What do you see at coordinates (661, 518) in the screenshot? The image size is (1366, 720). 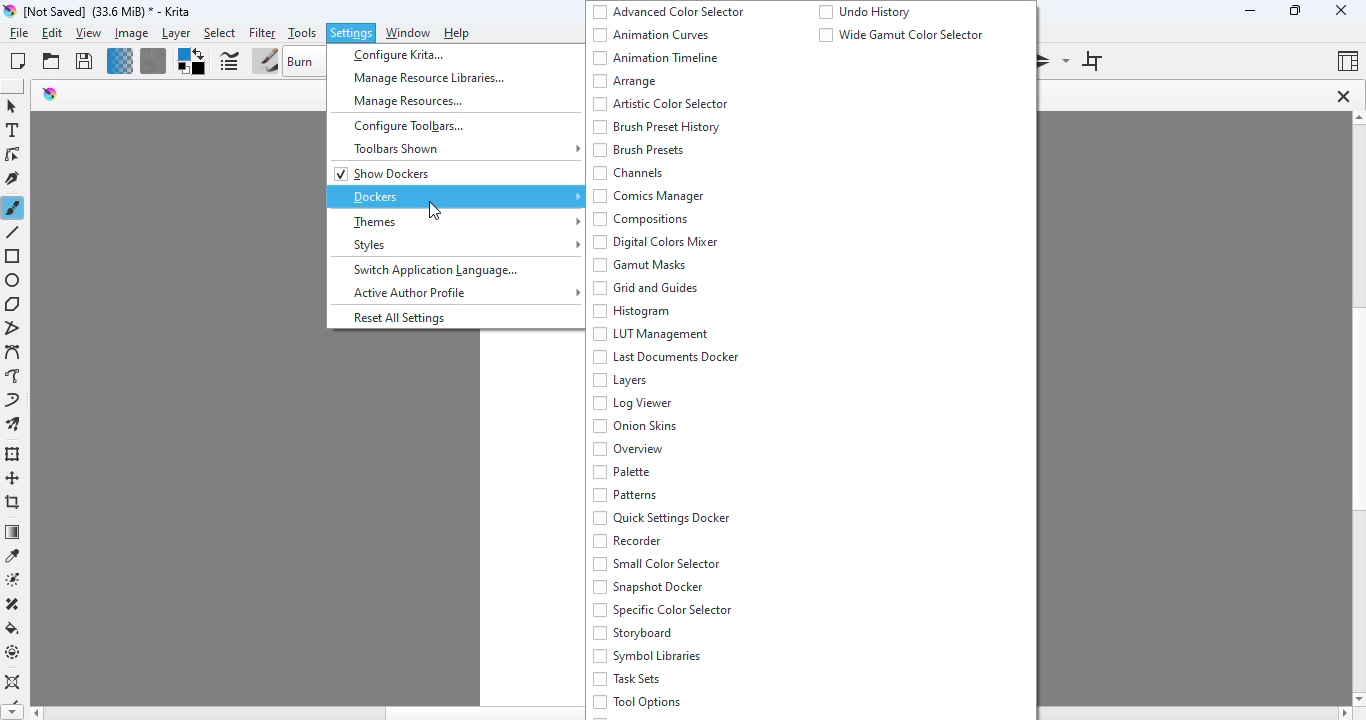 I see `quick settings docker` at bounding box center [661, 518].